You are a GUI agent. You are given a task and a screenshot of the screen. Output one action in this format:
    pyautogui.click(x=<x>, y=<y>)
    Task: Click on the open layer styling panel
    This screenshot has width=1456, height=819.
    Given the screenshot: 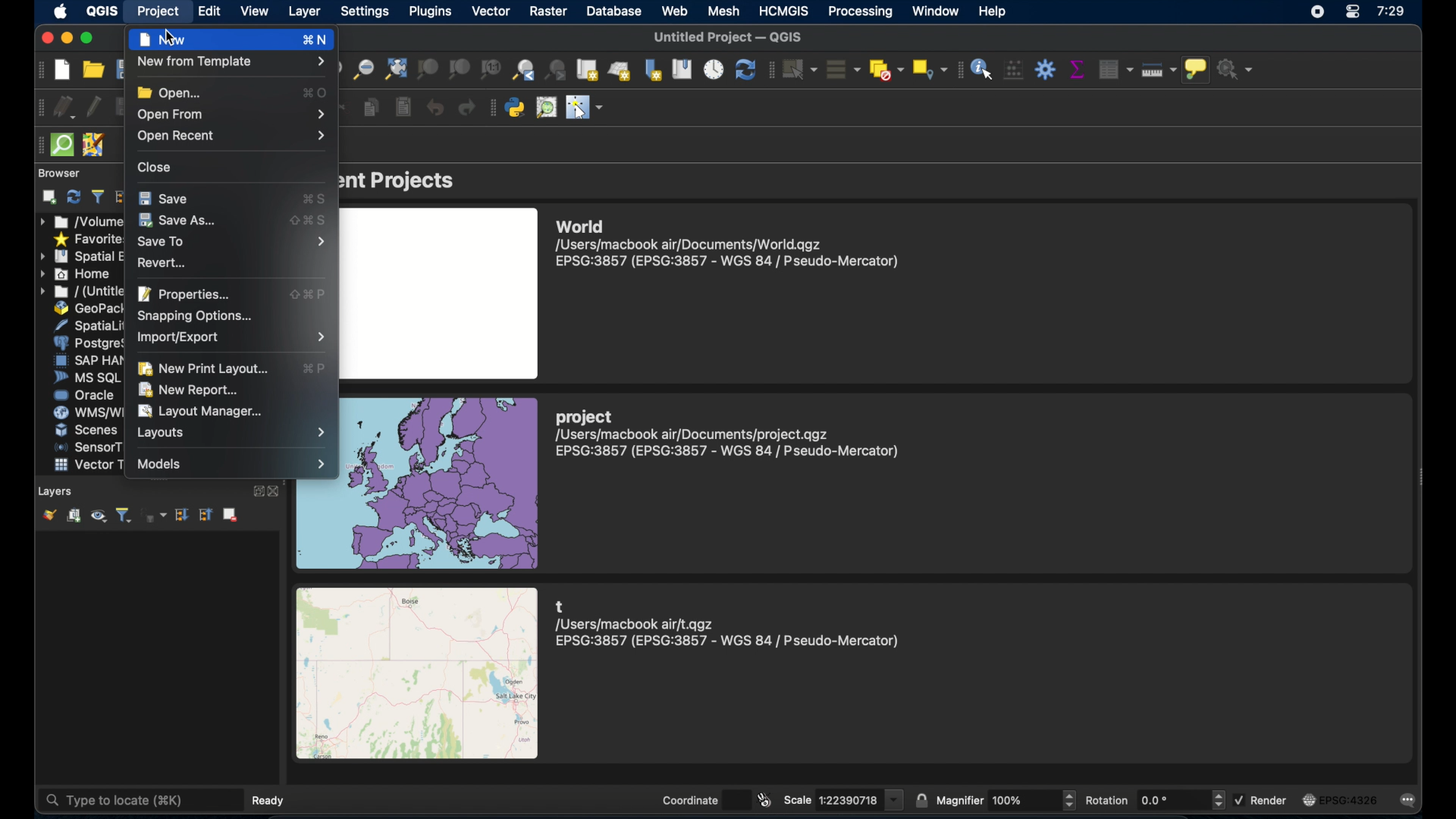 What is the action you would take?
    pyautogui.click(x=49, y=516)
    